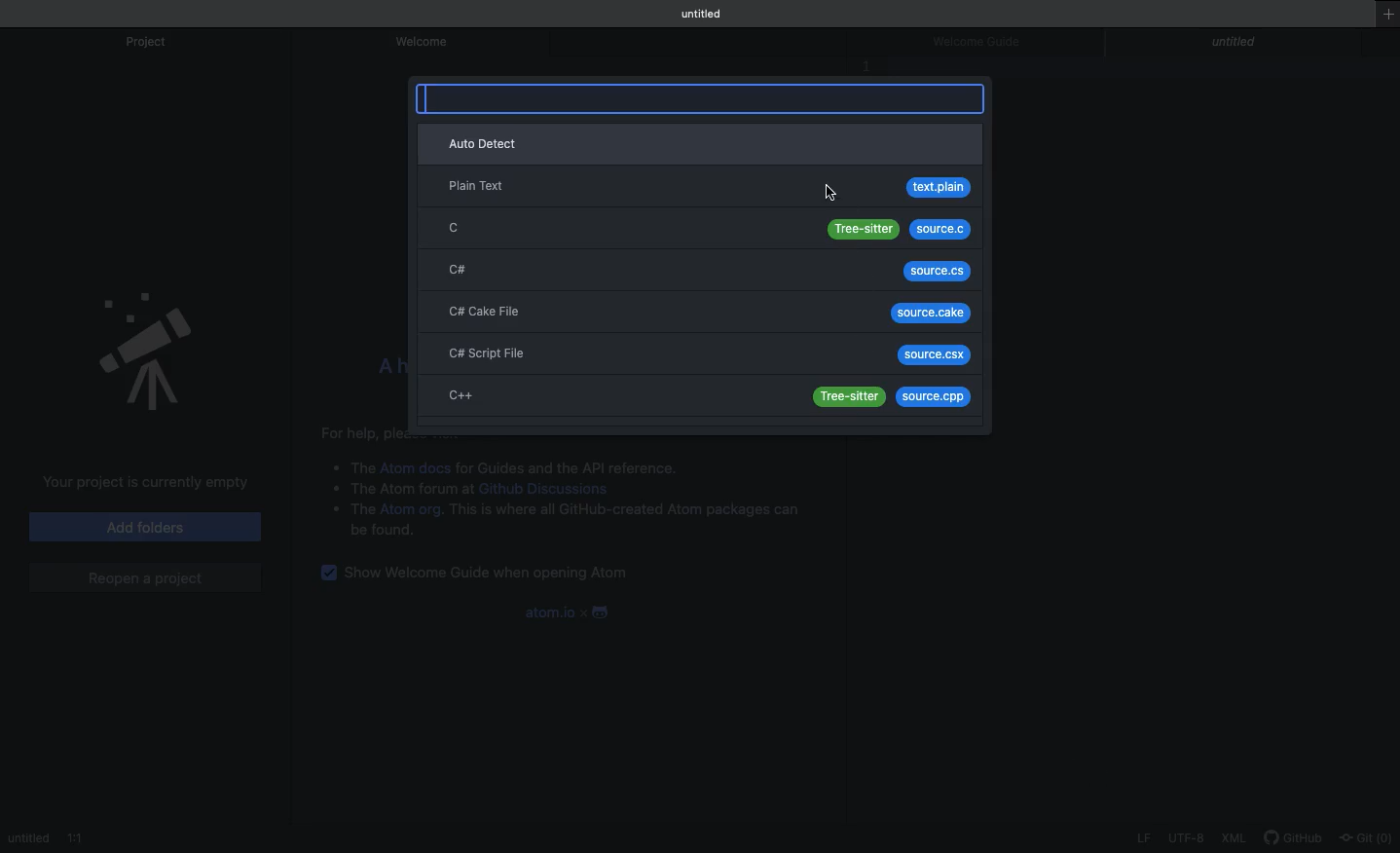 This screenshot has width=1400, height=853. What do you see at coordinates (568, 612) in the screenshot?
I see `atom.io x android` at bounding box center [568, 612].